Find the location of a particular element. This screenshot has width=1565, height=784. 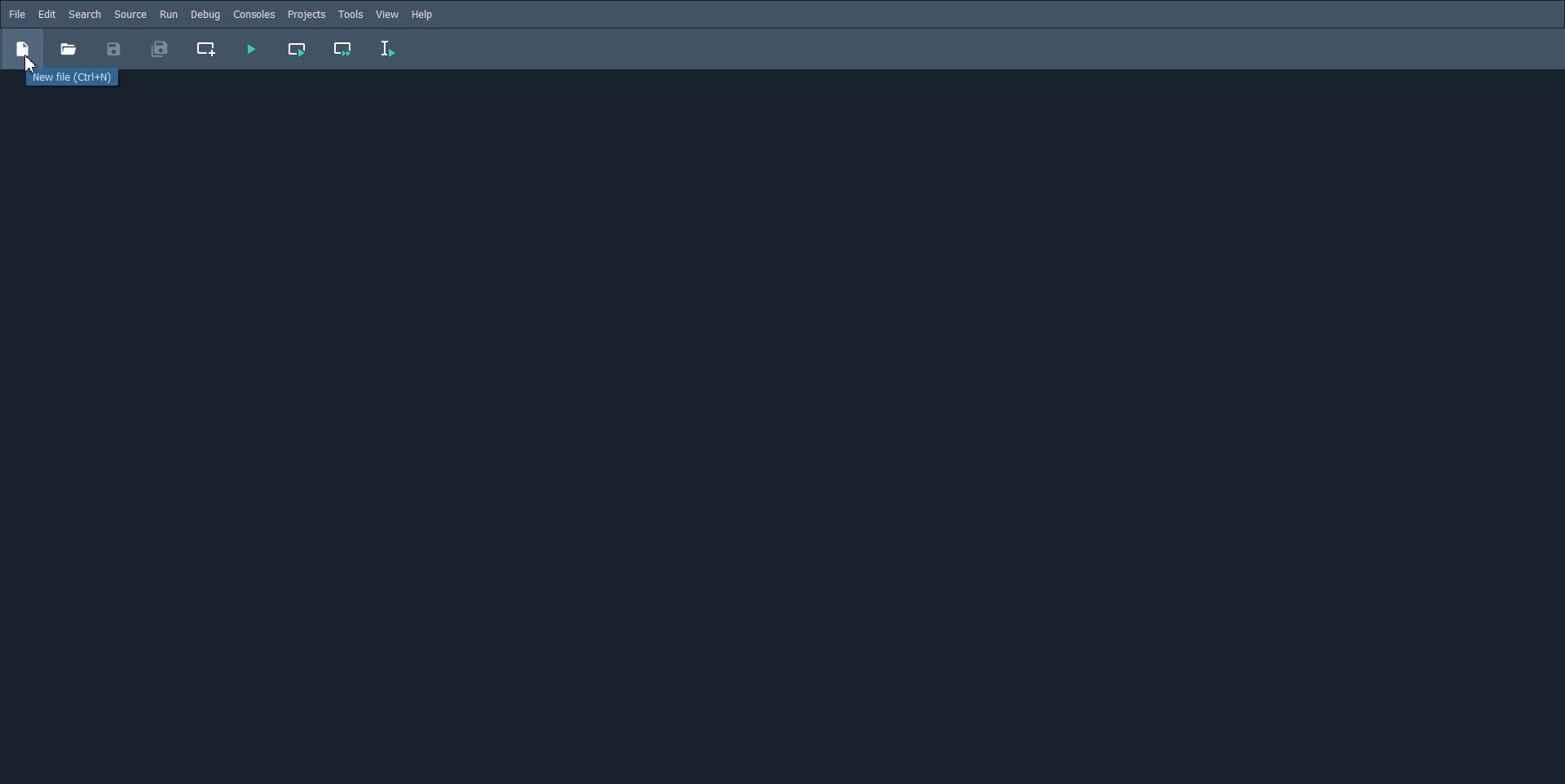

New file (Ctrl+H) is located at coordinates (71, 77).